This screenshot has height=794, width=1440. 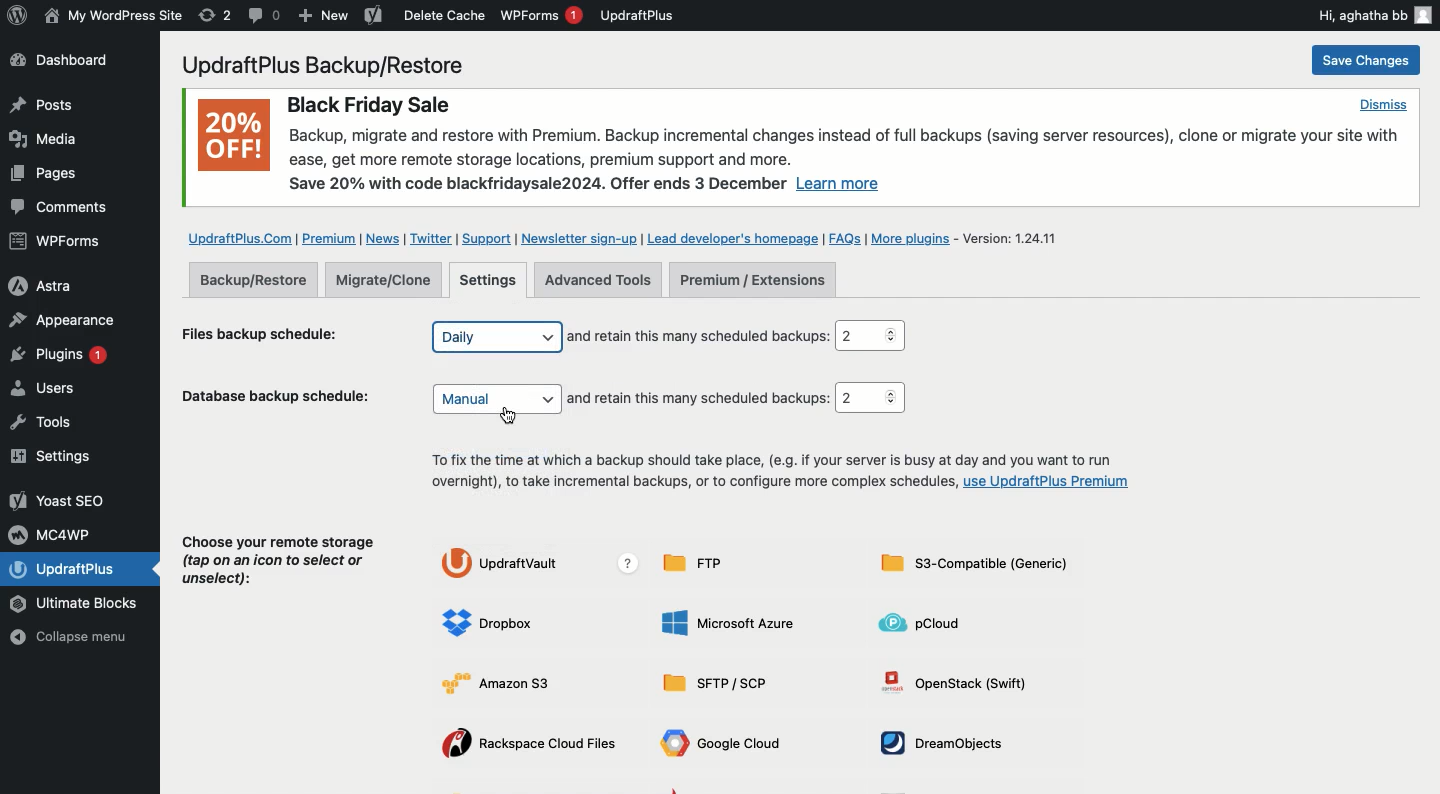 I want to click on Twitter, so click(x=431, y=239).